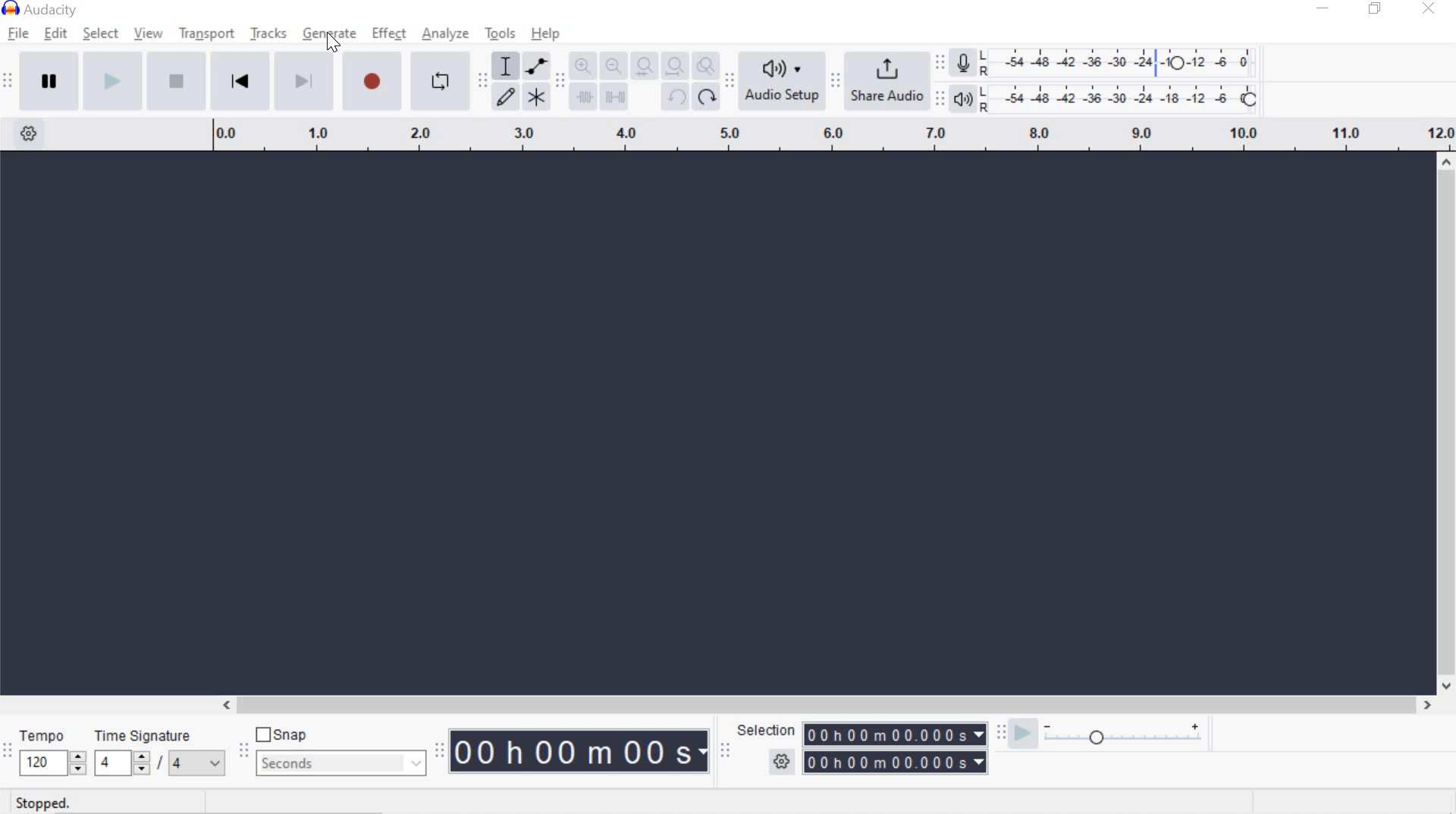  I want to click on pause, so click(49, 80).